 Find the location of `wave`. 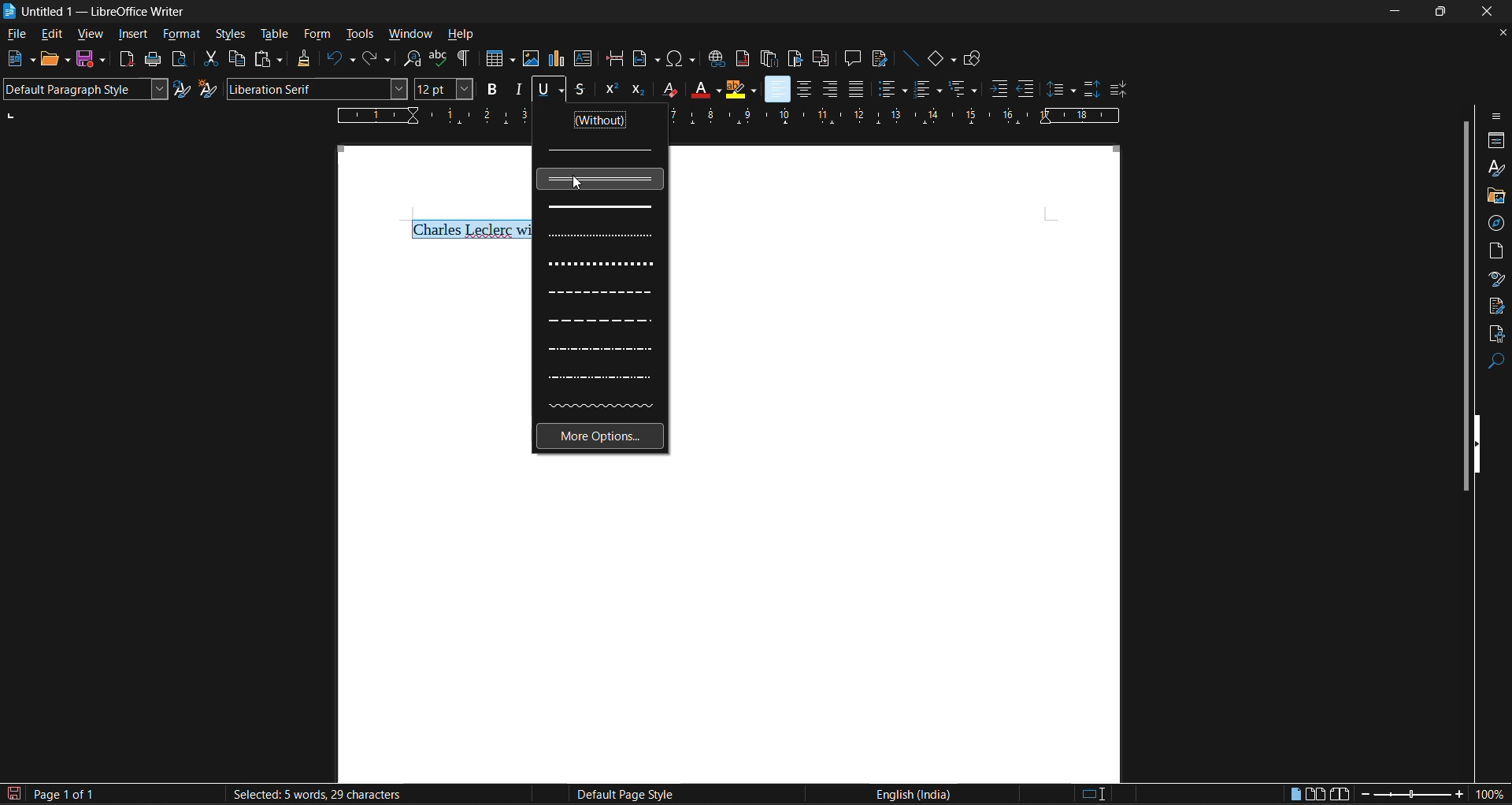

wave is located at coordinates (603, 404).